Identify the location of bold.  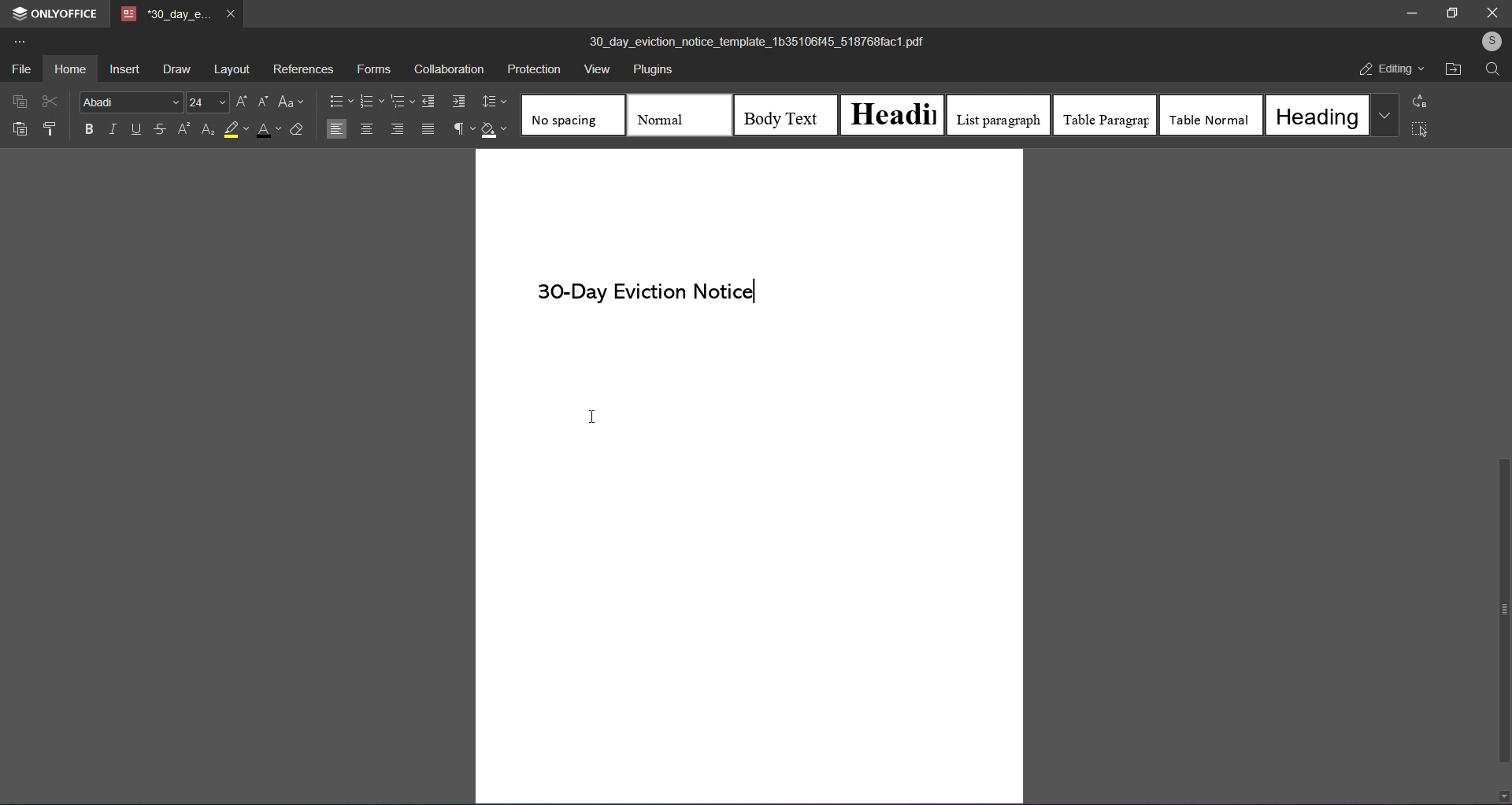
(88, 129).